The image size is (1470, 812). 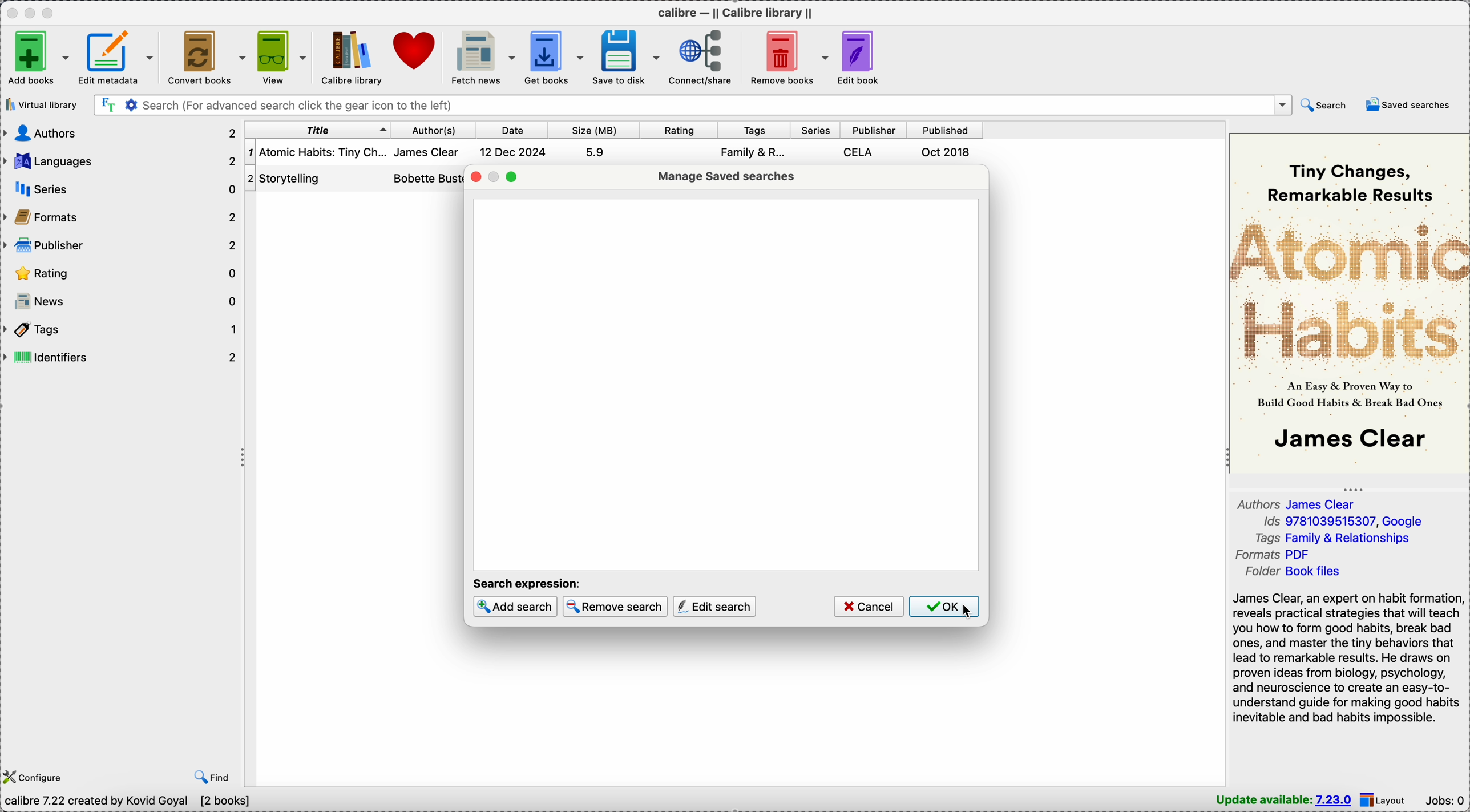 I want to click on title, so click(x=316, y=131).